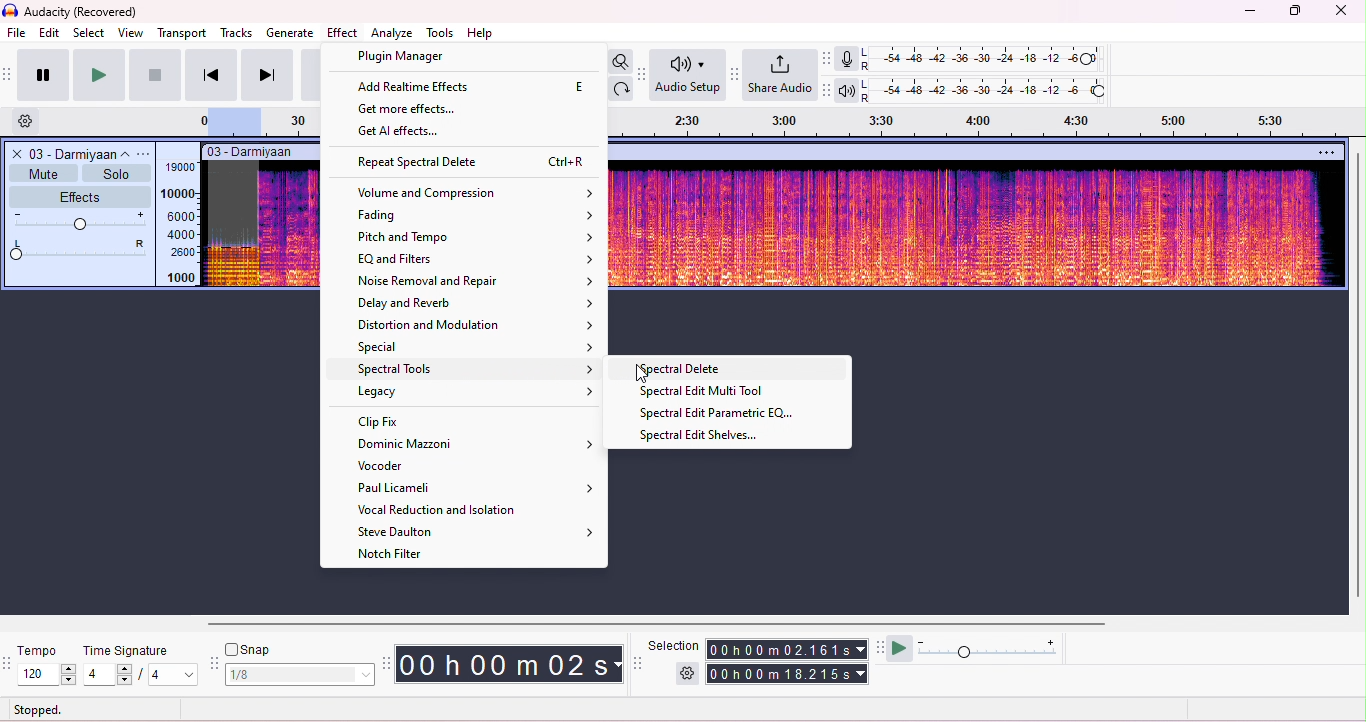 This screenshot has width=1366, height=722. What do you see at coordinates (215, 661) in the screenshot?
I see `snap tool bar` at bounding box center [215, 661].